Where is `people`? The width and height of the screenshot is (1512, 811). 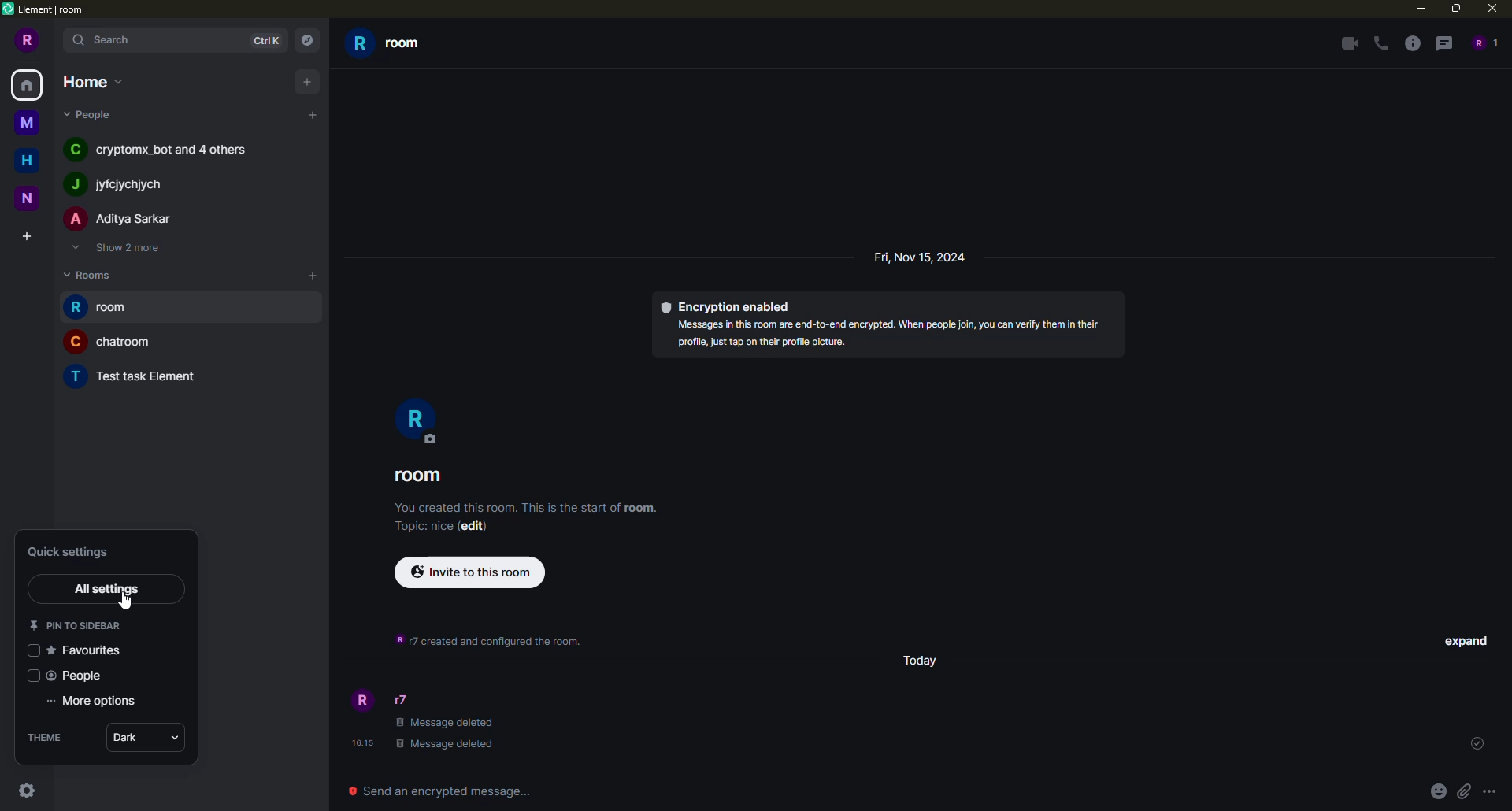 people is located at coordinates (1482, 43).